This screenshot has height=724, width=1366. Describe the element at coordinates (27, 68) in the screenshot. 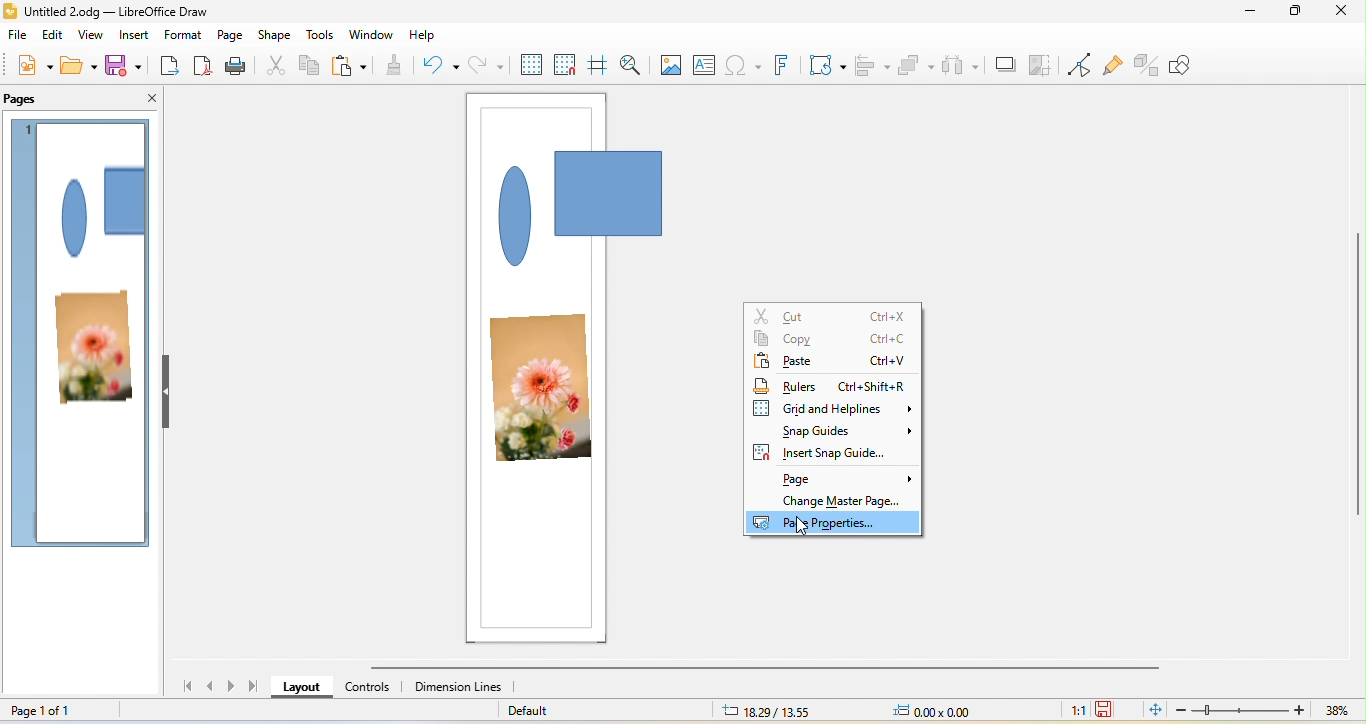

I see `new` at that location.